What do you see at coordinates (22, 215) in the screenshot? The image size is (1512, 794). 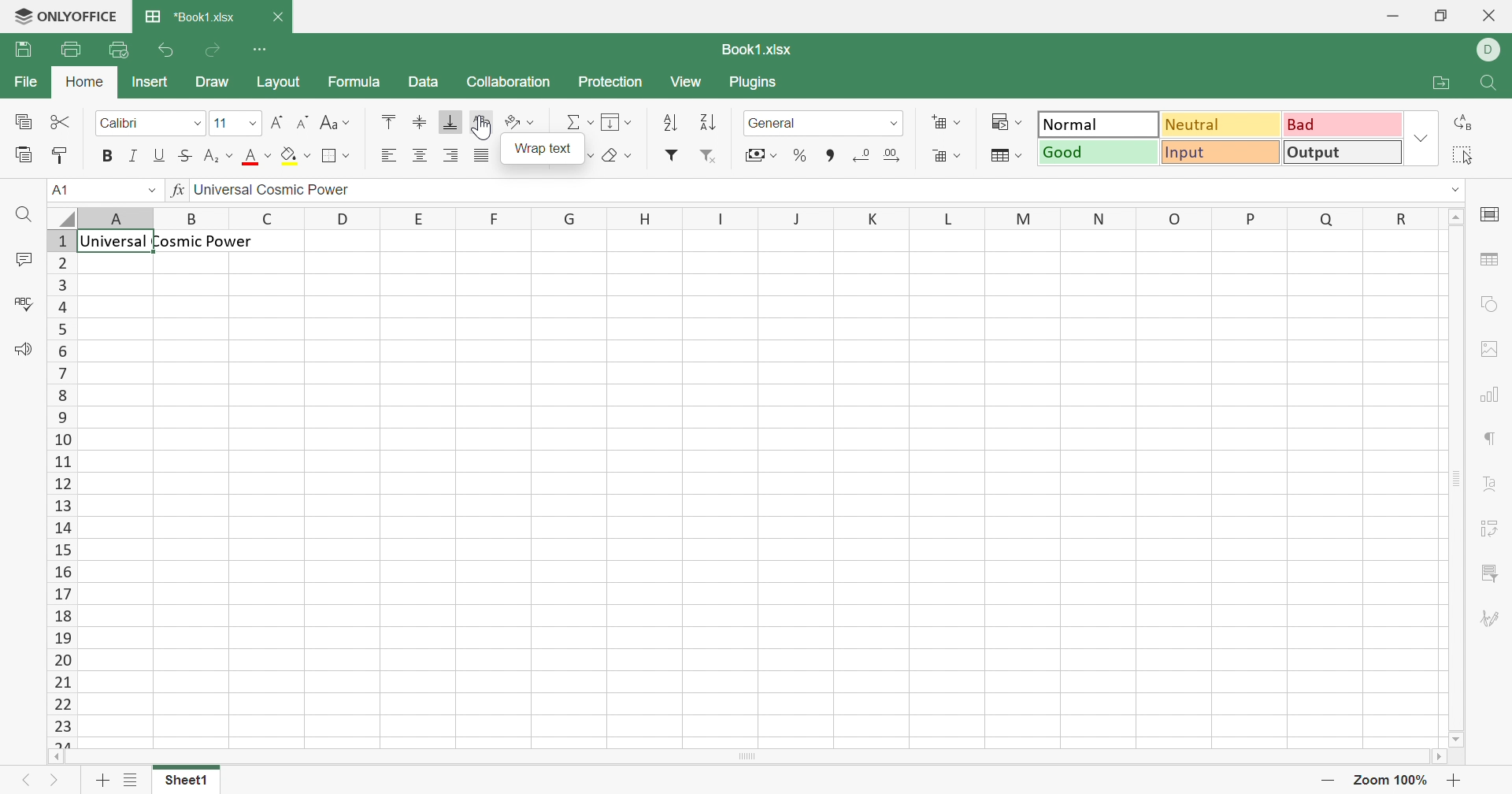 I see `Find` at bounding box center [22, 215].